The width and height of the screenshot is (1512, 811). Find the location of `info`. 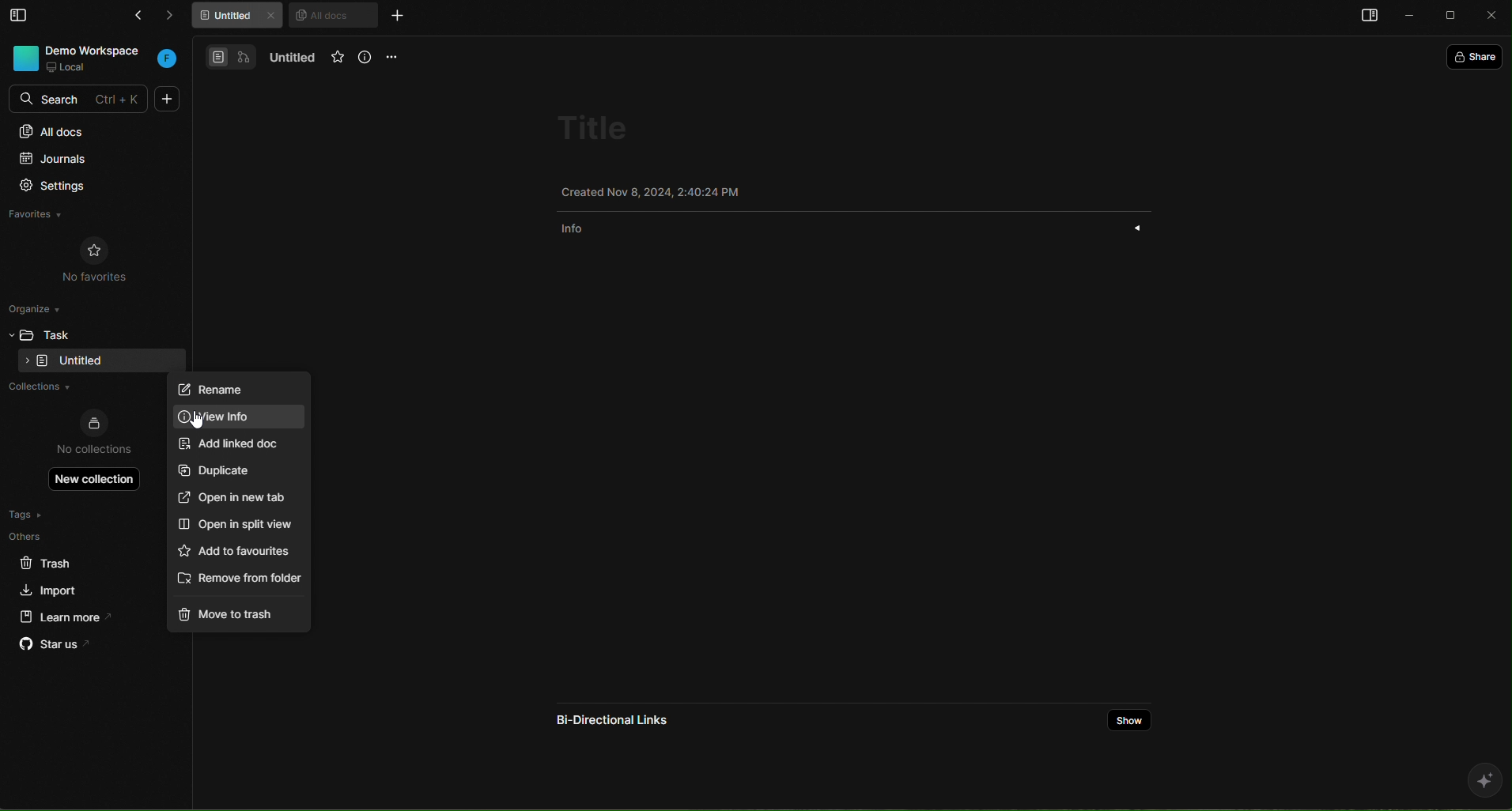

info is located at coordinates (366, 58).